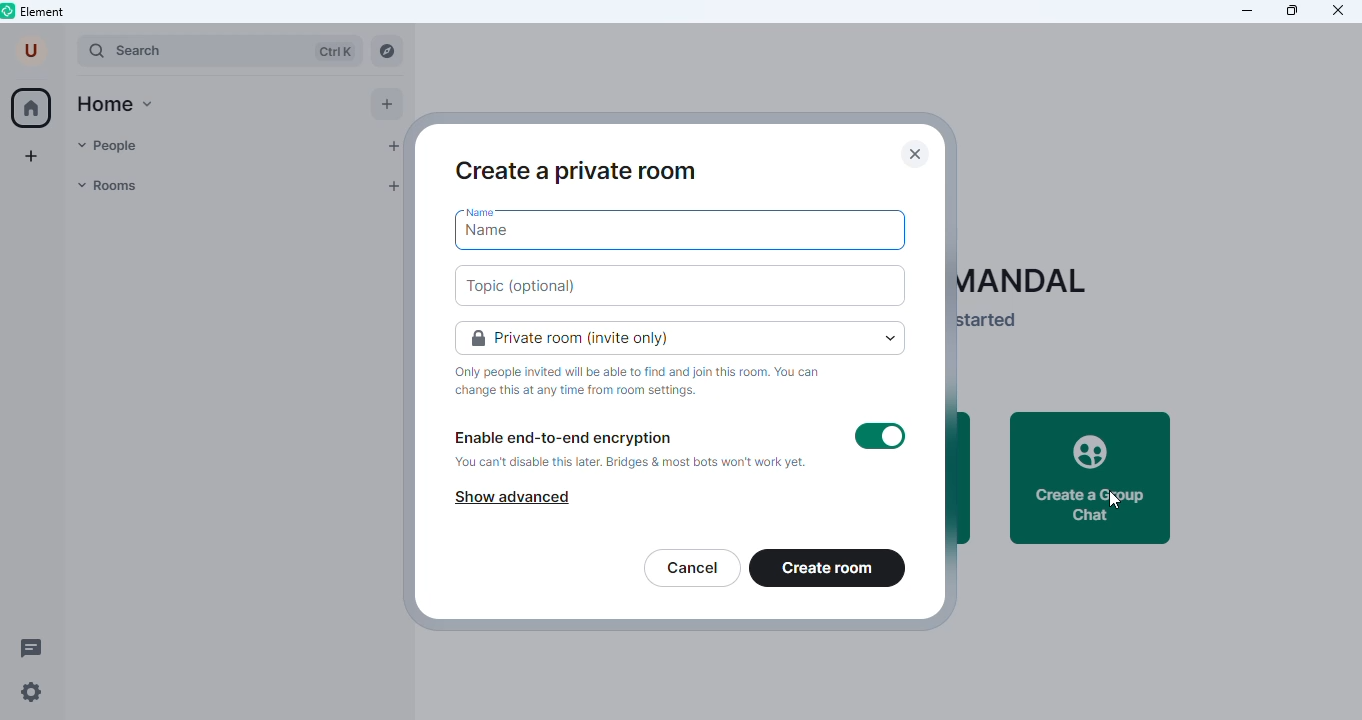  I want to click on add, so click(387, 104).